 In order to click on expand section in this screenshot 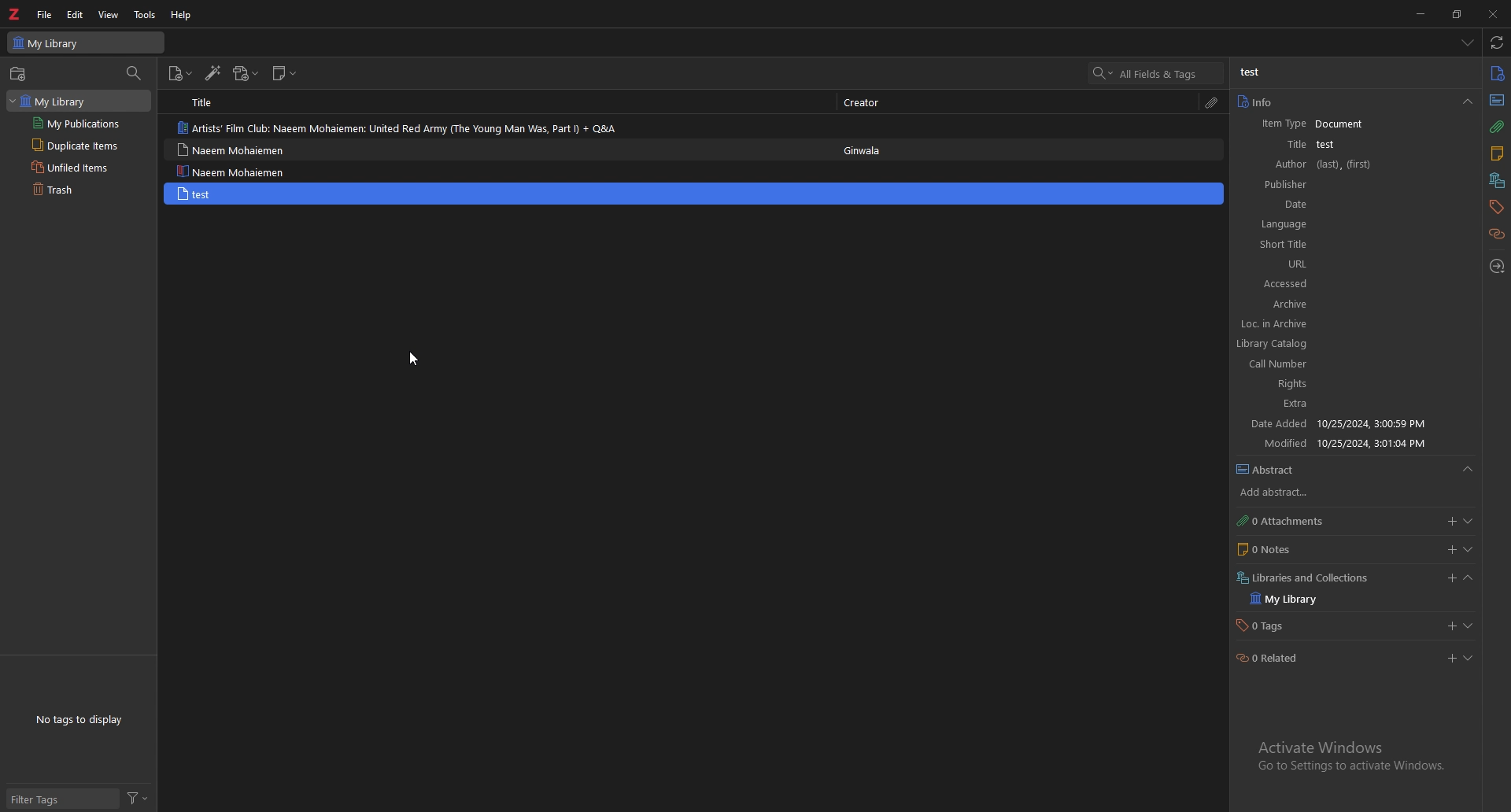, I will do `click(1473, 661)`.